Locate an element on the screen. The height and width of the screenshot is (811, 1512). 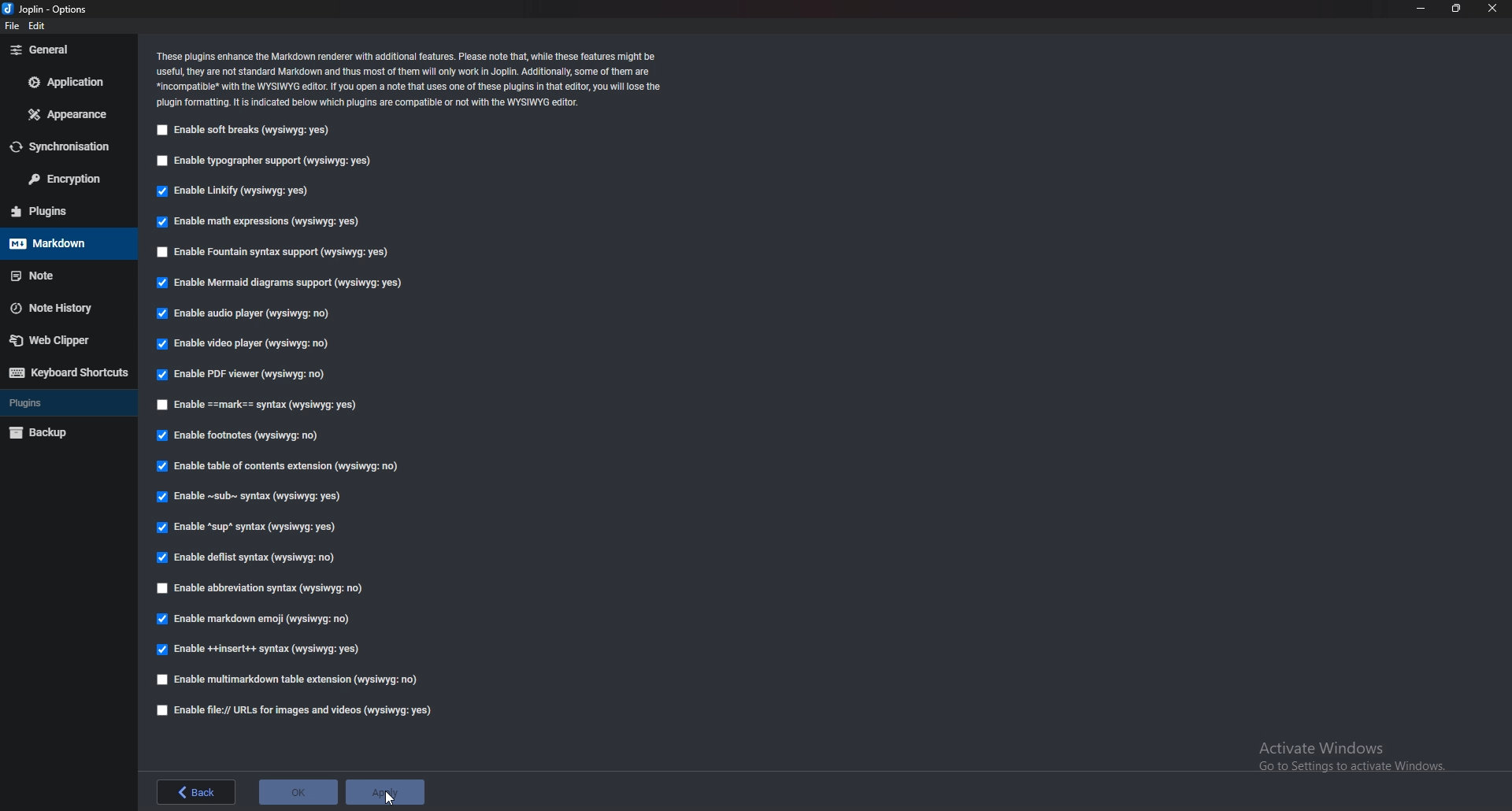
note is located at coordinates (59, 276).